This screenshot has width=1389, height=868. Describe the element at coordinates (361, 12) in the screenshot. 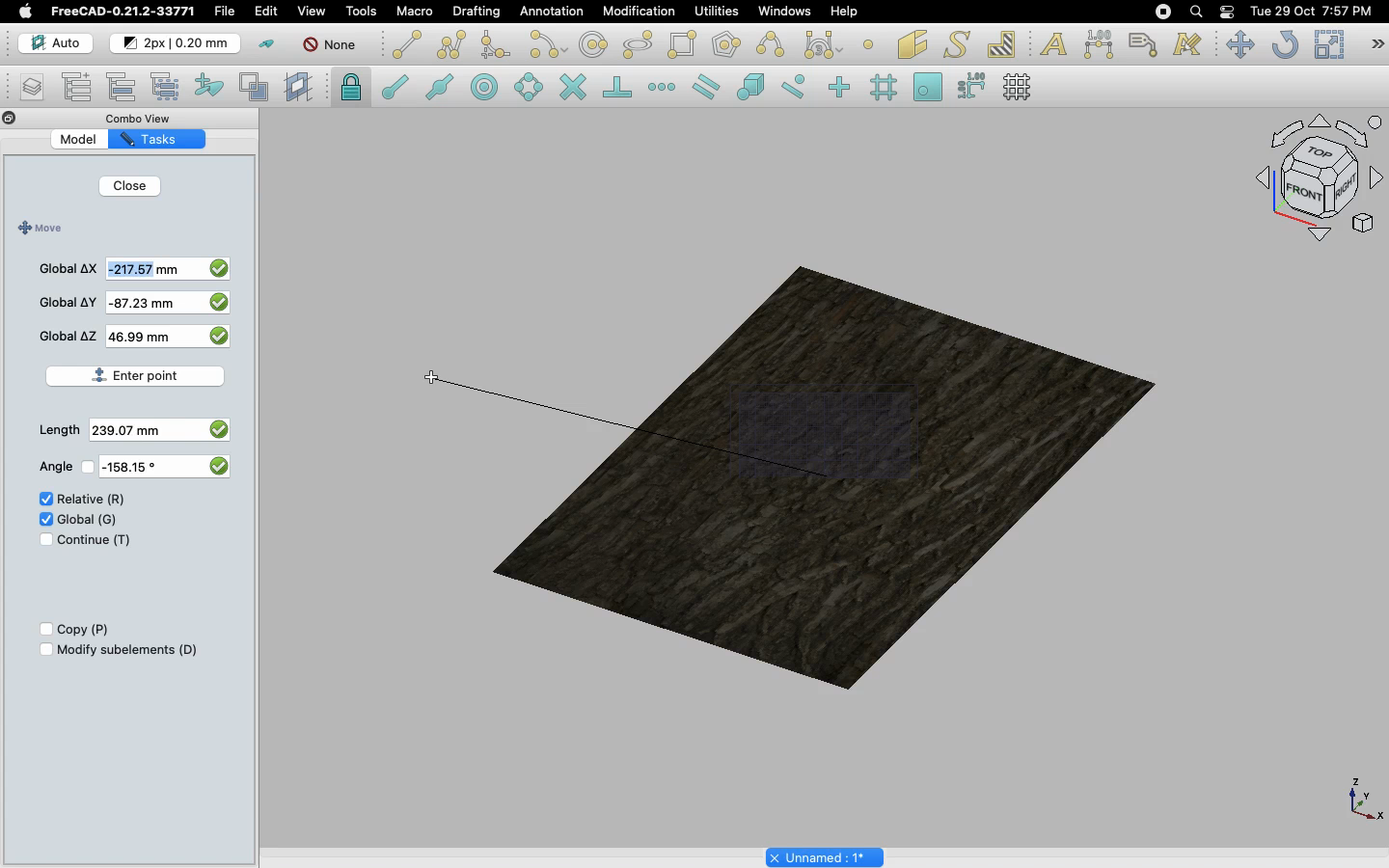

I see `Tools` at that location.